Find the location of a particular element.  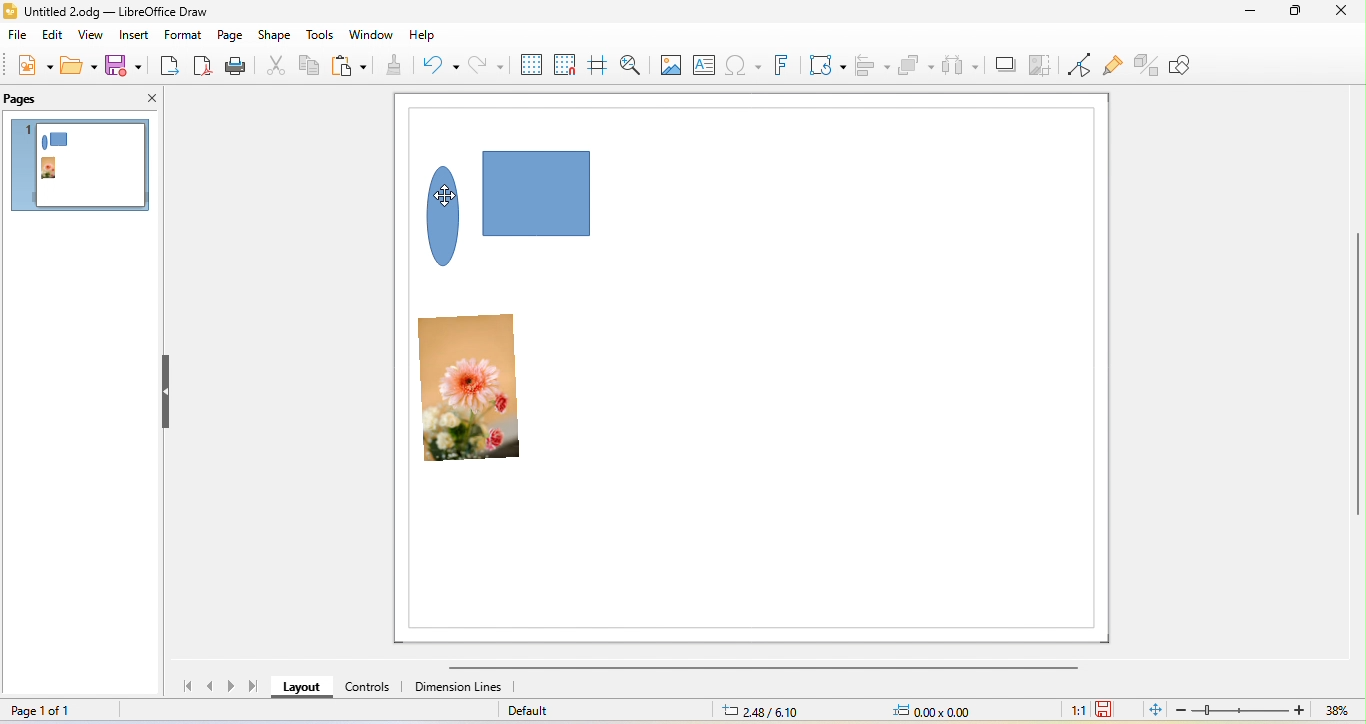

toggle extrusion is located at coordinates (1146, 63).